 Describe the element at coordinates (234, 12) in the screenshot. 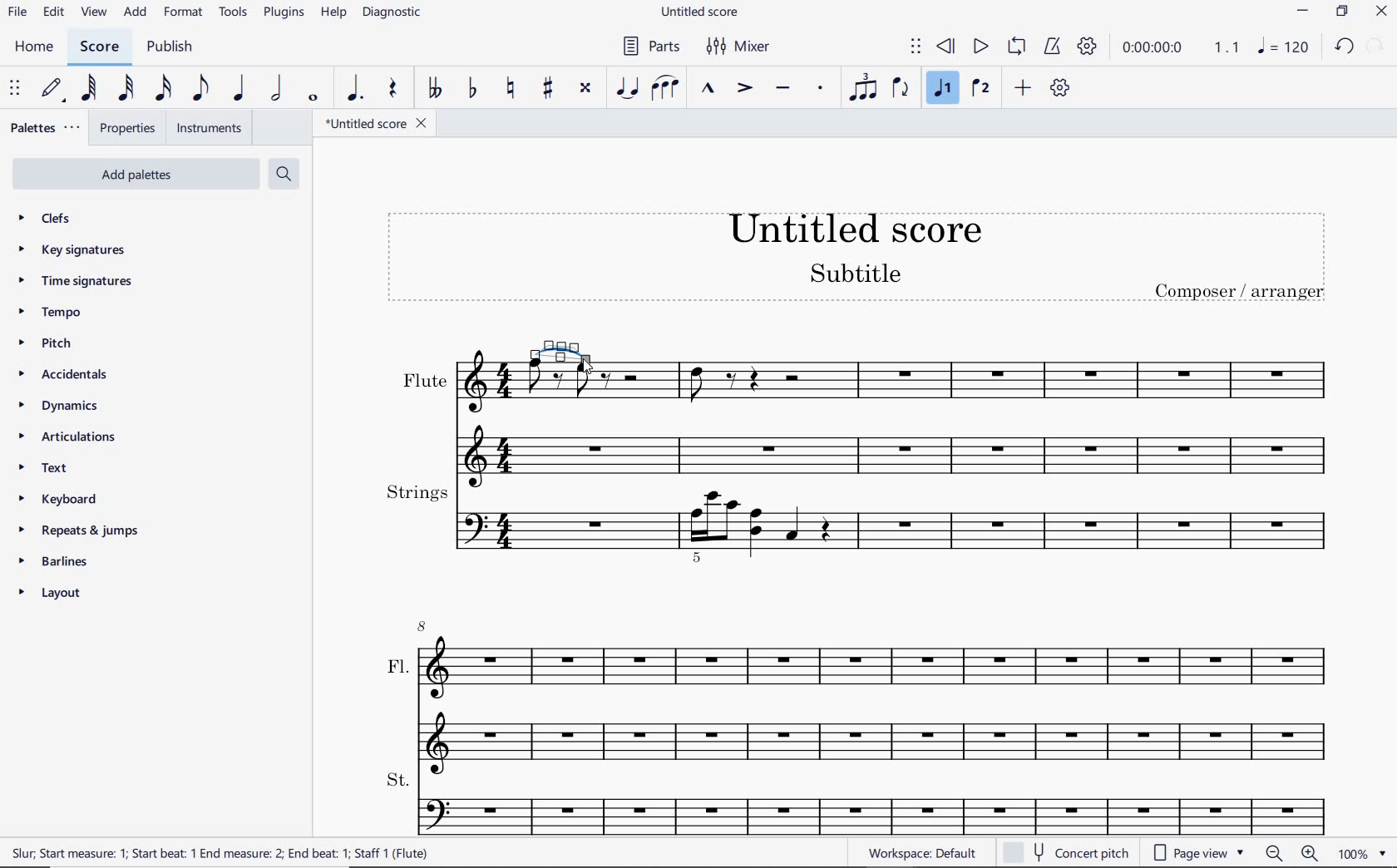

I see `tools` at that location.